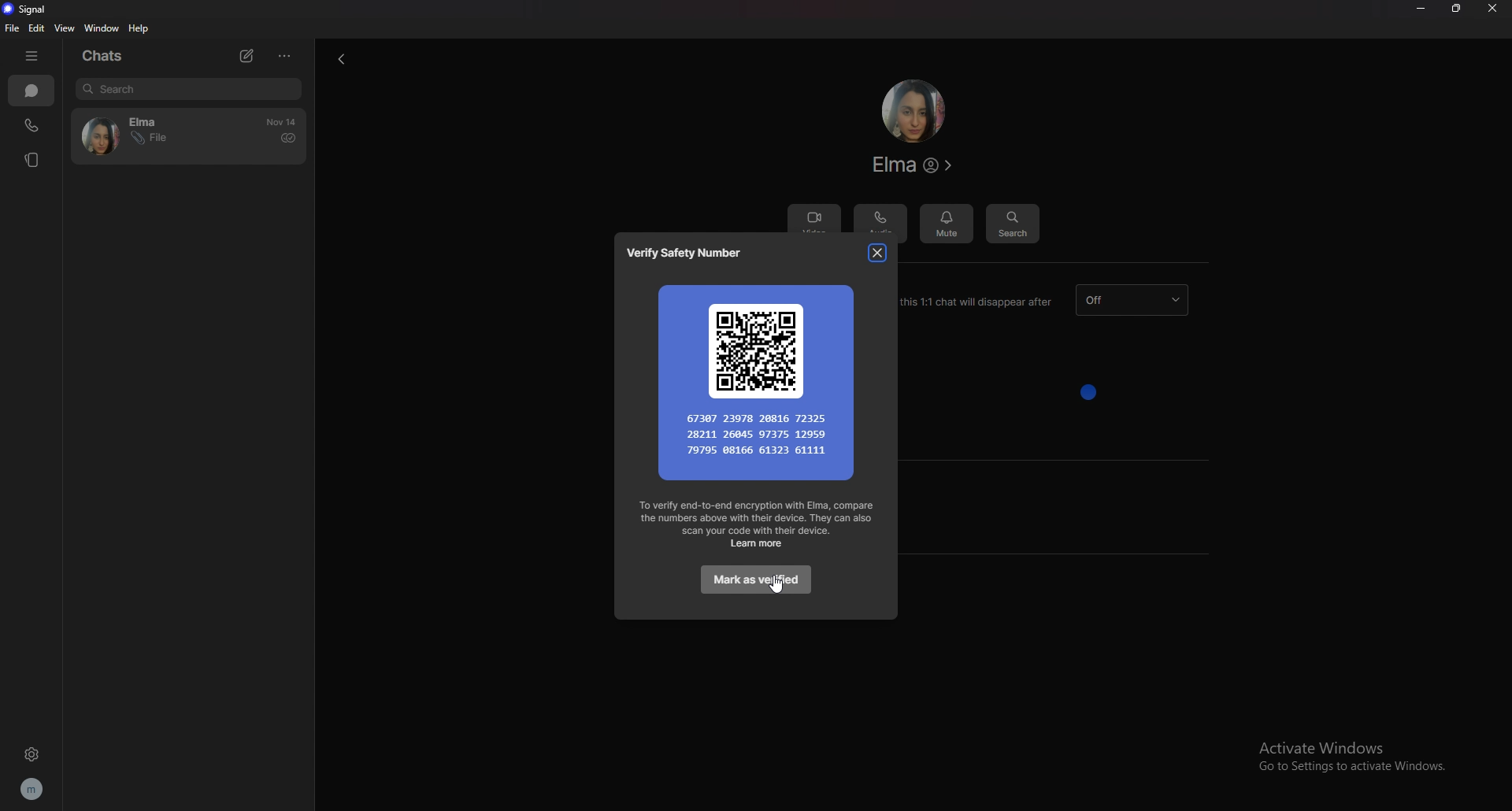 This screenshot has height=811, width=1512. I want to click on mark as verified, so click(755, 580).